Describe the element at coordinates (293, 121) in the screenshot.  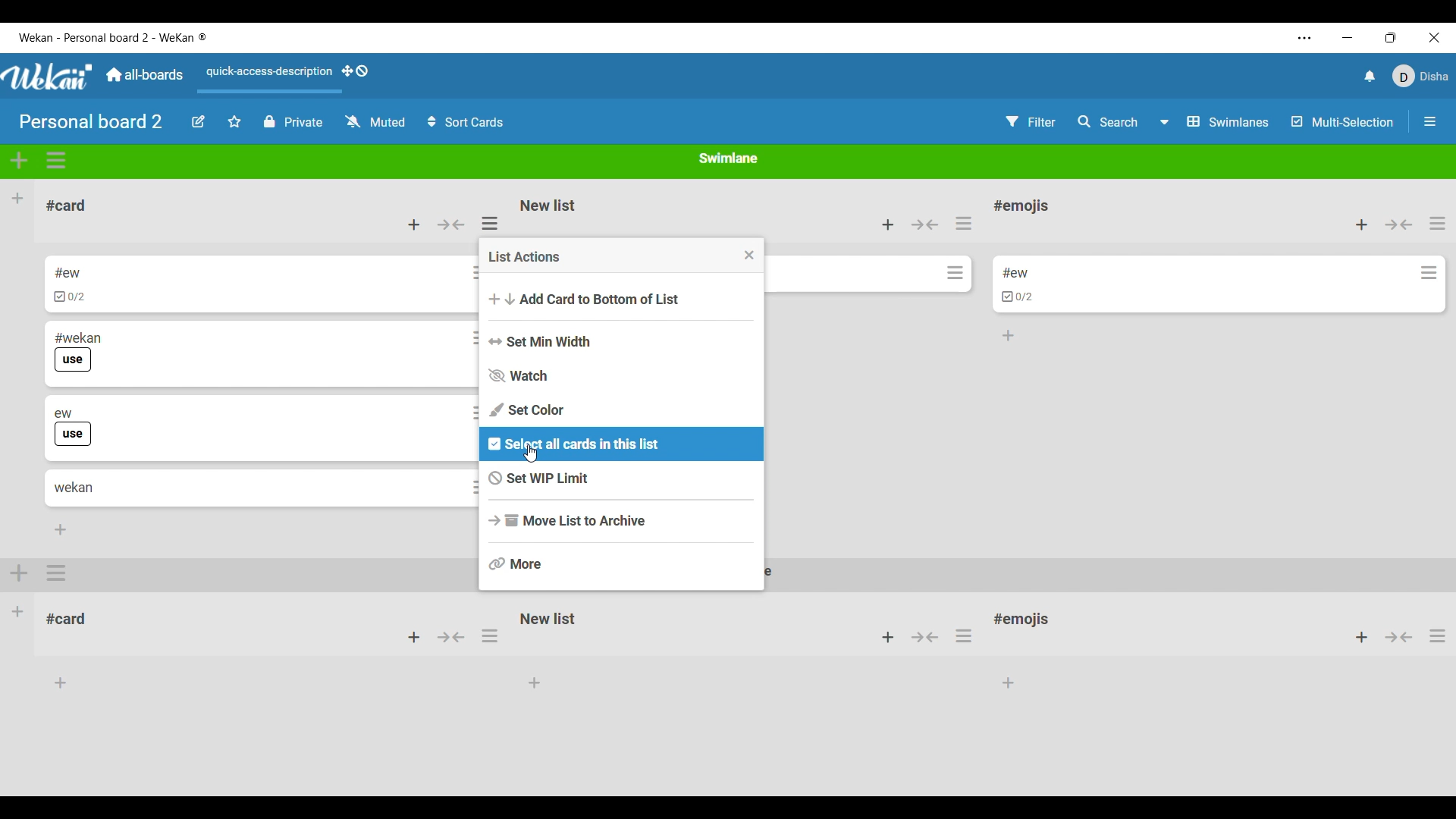
I see `Privcy status of current board` at that location.